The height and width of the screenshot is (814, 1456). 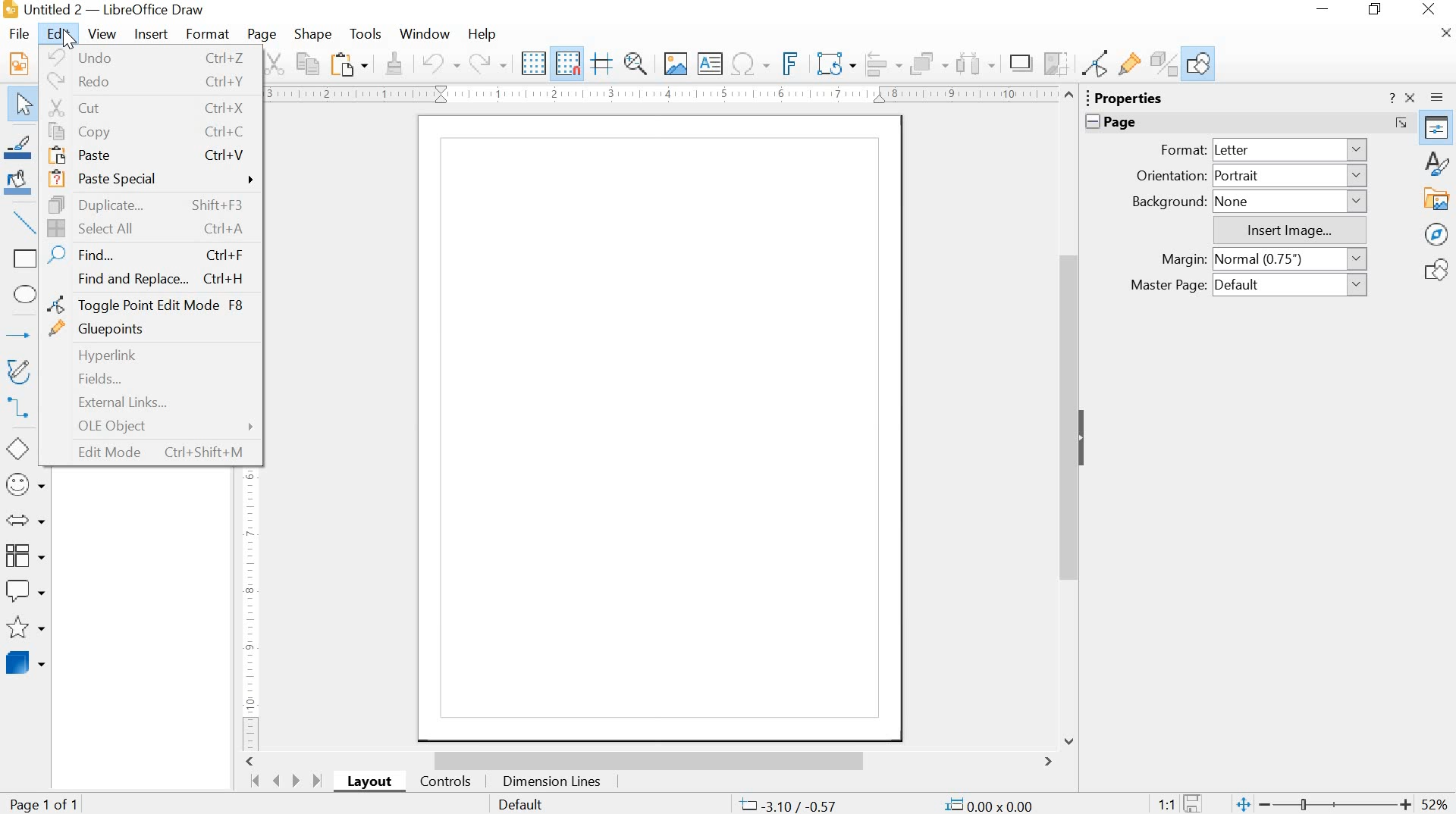 What do you see at coordinates (27, 521) in the screenshot?
I see `Block Arrows (double click for multi-selection)` at bounding box center [27, 521].